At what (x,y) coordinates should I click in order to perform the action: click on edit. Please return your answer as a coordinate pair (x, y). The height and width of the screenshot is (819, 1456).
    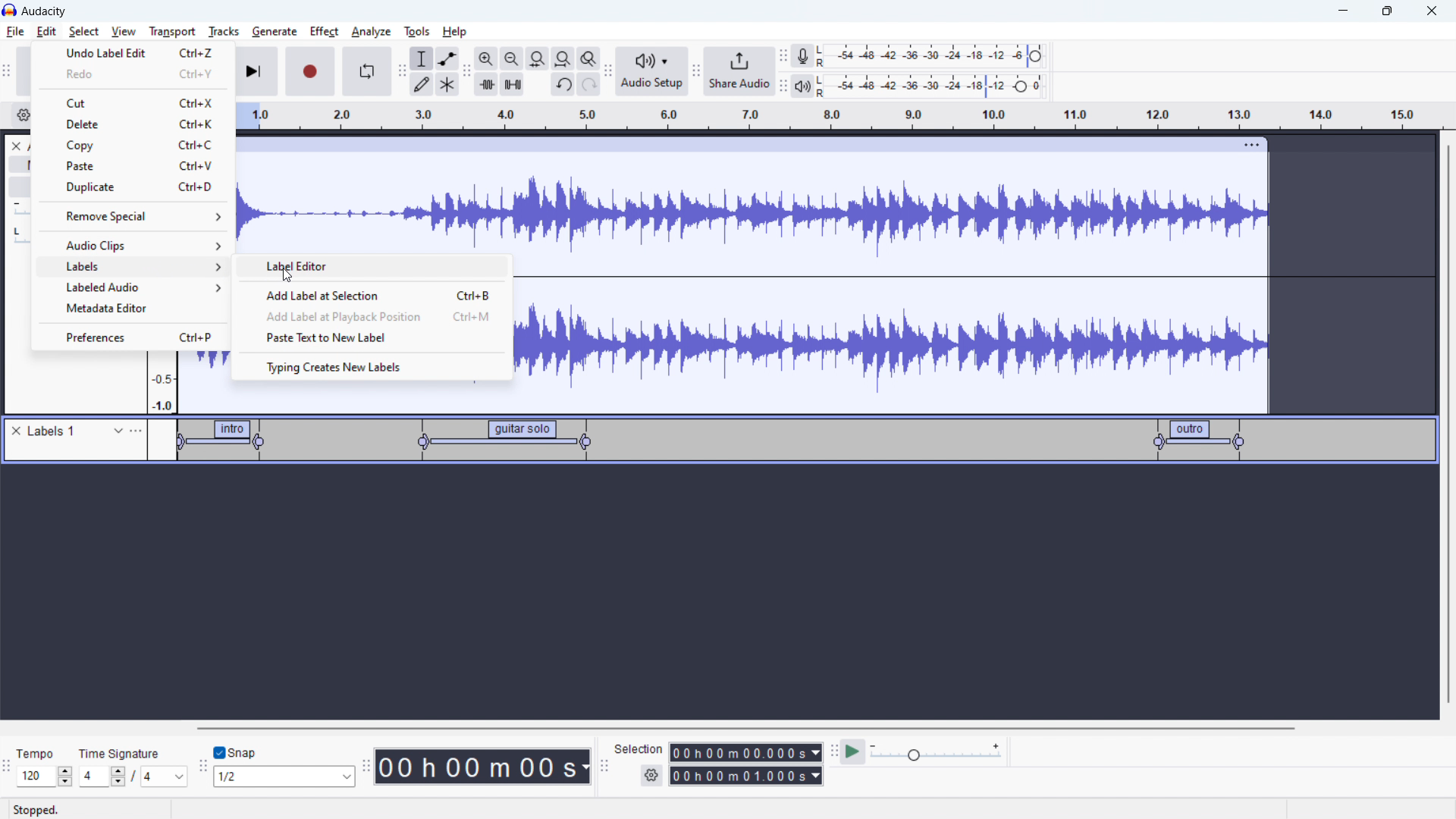
    Looking at the image, I should click on (46, 32).